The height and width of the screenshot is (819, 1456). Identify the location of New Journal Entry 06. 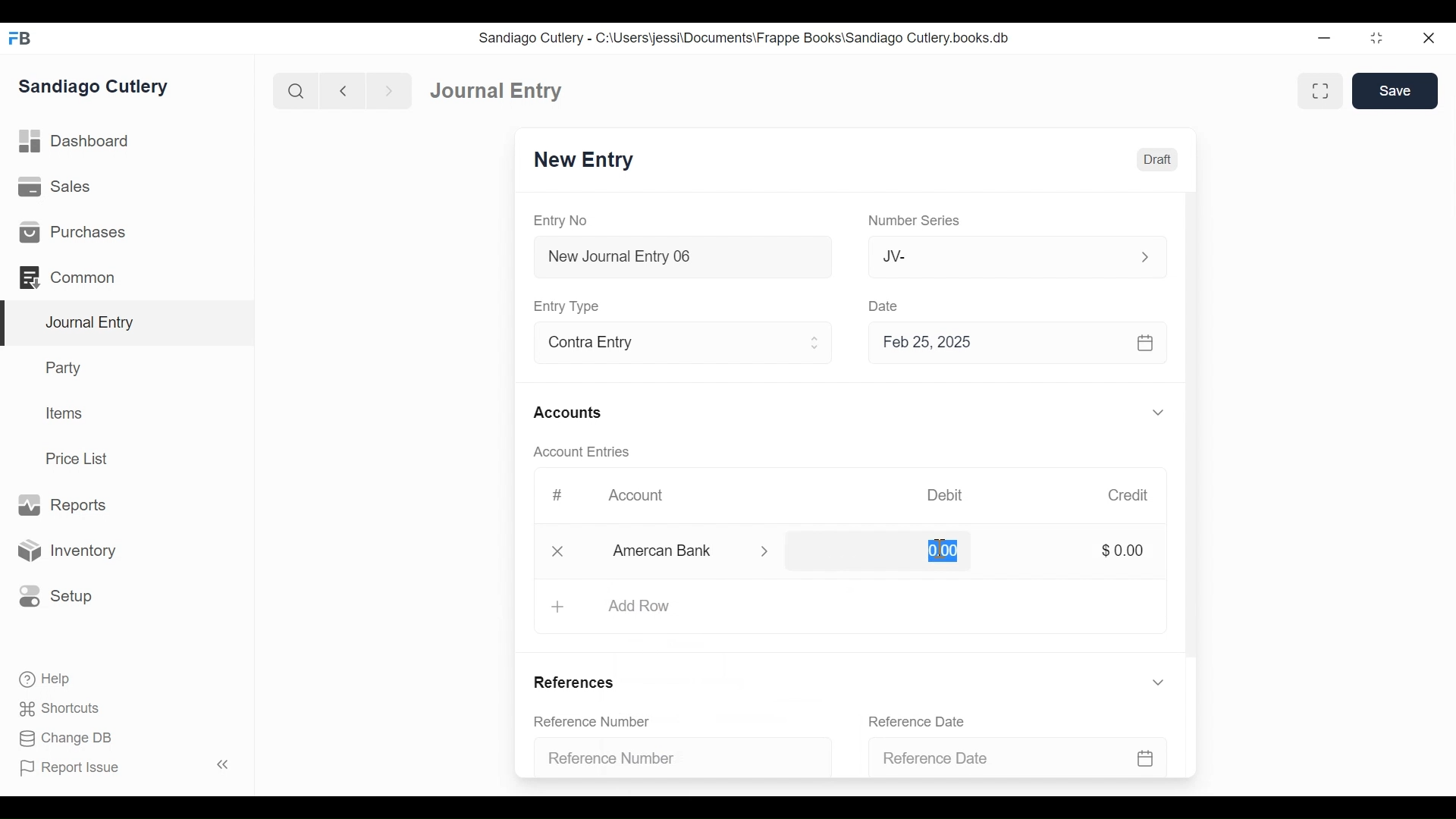
(680, 259).